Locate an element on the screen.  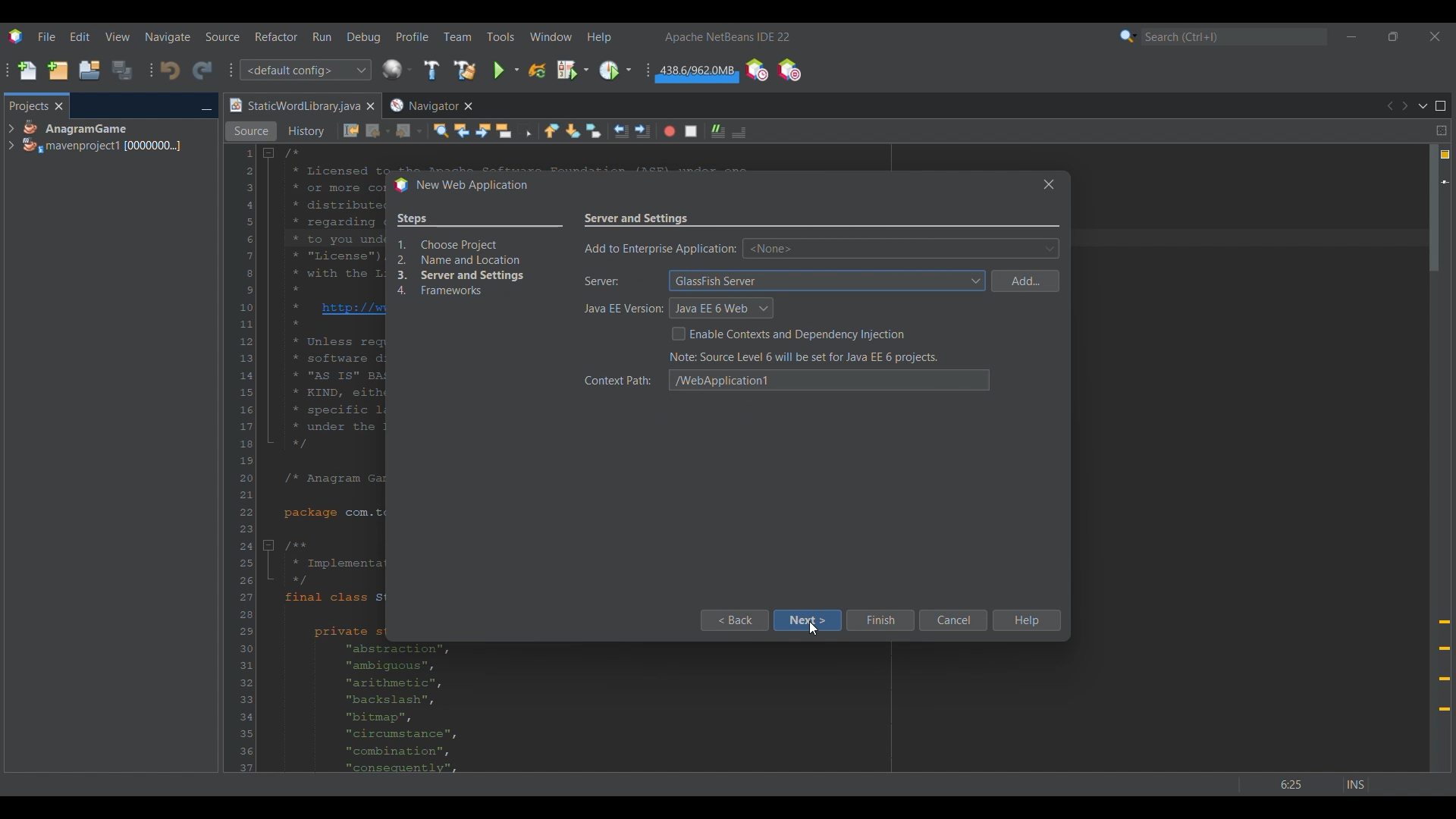
Enterprise application options is located at coordinates (901, 248).